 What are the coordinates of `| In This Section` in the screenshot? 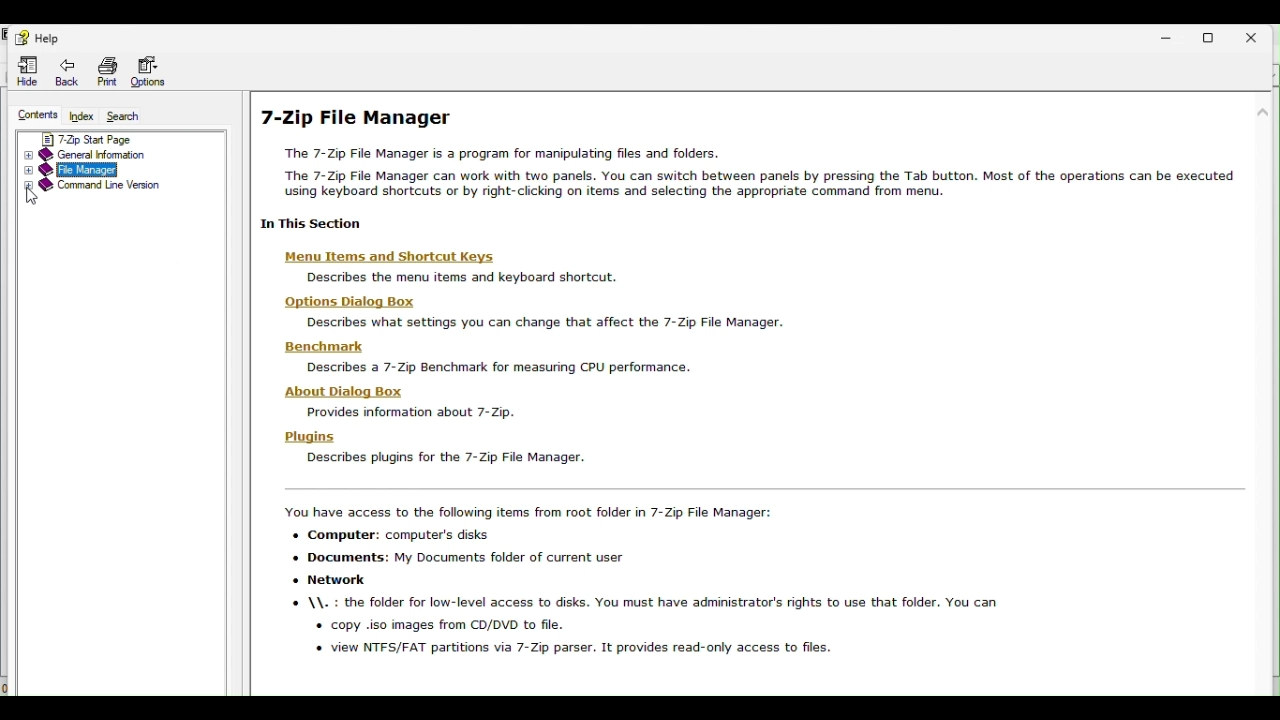 It's located at (299, 225).